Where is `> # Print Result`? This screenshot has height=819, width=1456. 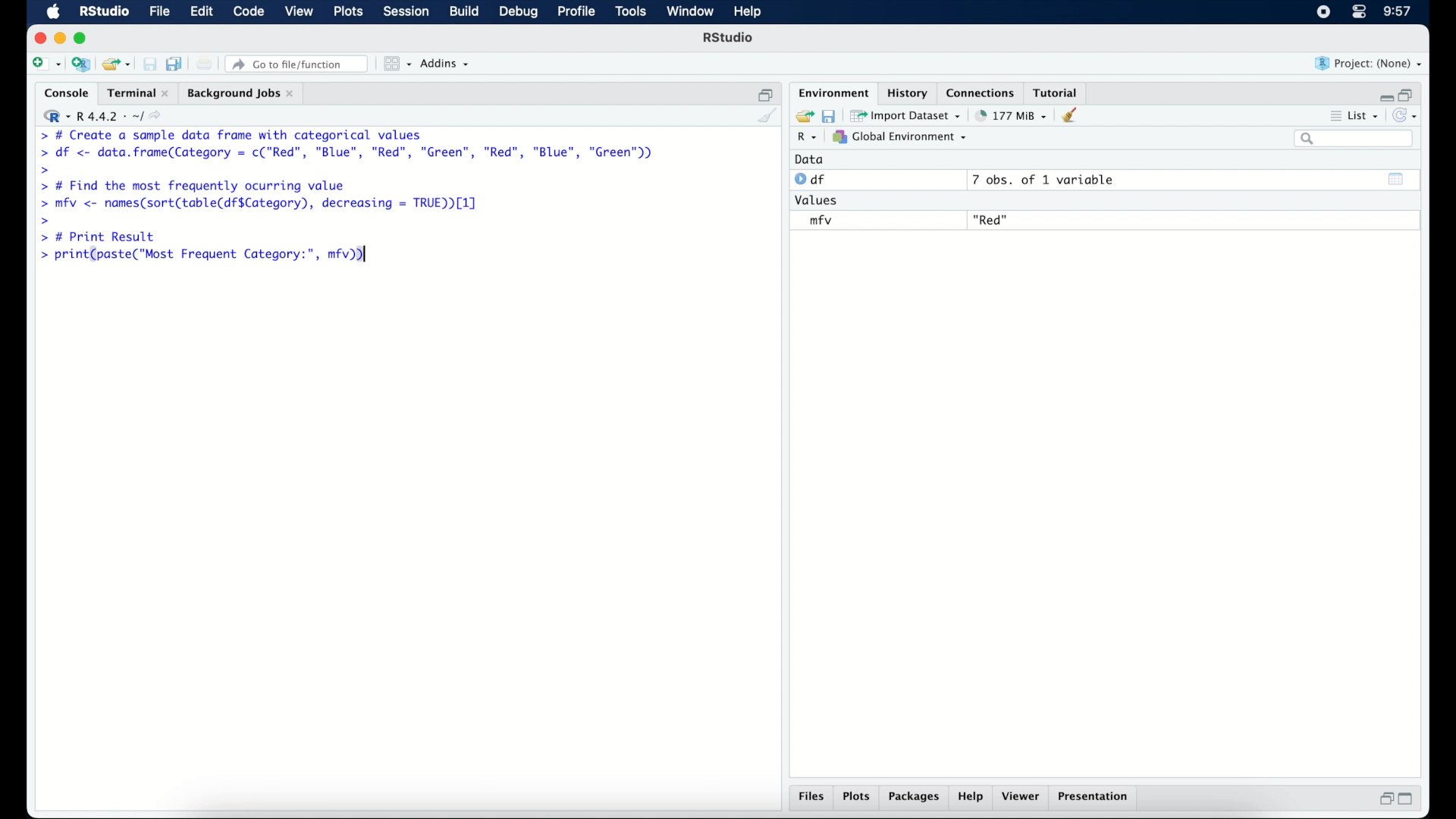
> # Print Result is located at coordinates (99, 235).